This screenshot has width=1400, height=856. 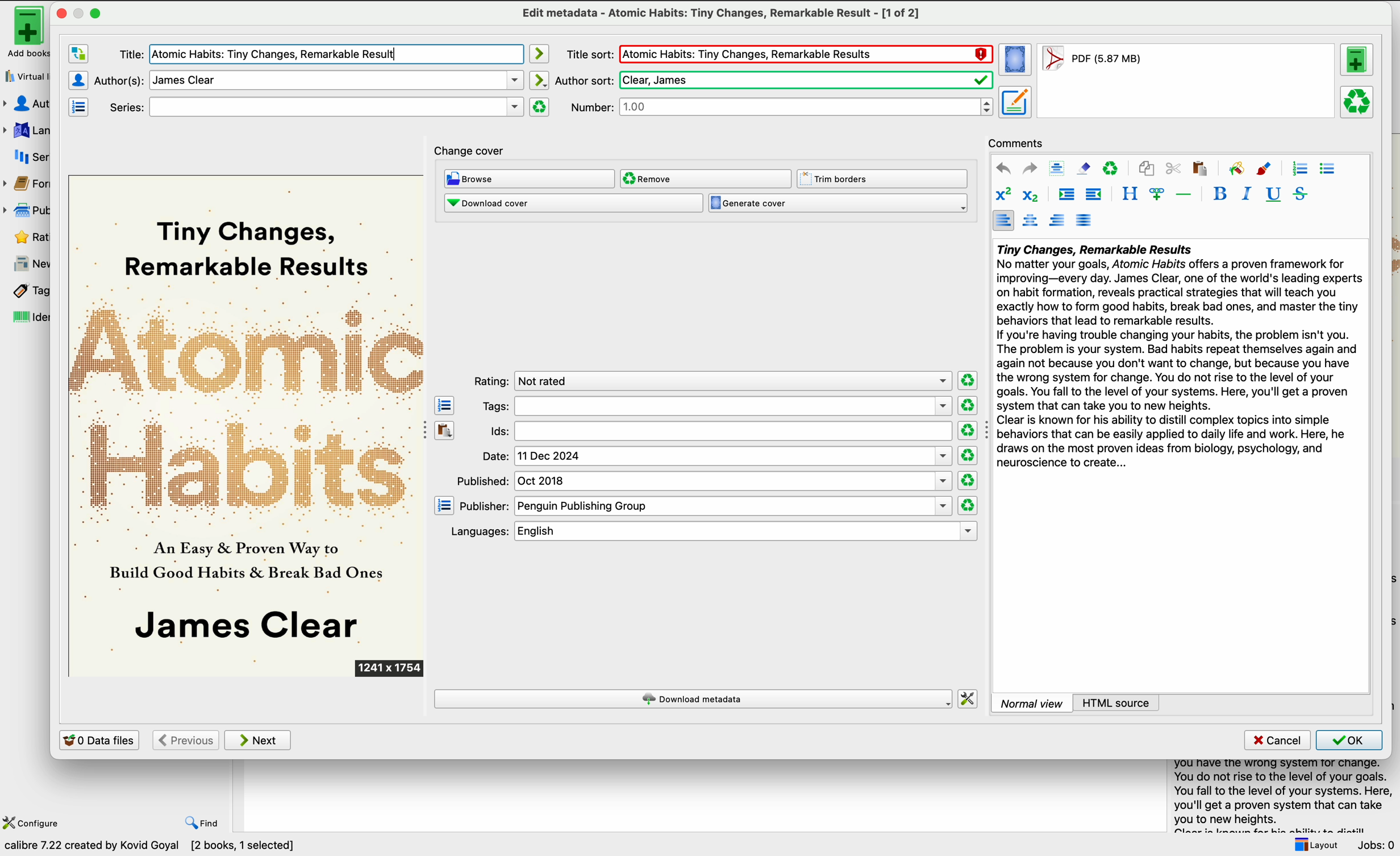 What do you see at coordinates (1111, 168) in the screenshot?
I see `clear` at bounding box center [1111, 168].